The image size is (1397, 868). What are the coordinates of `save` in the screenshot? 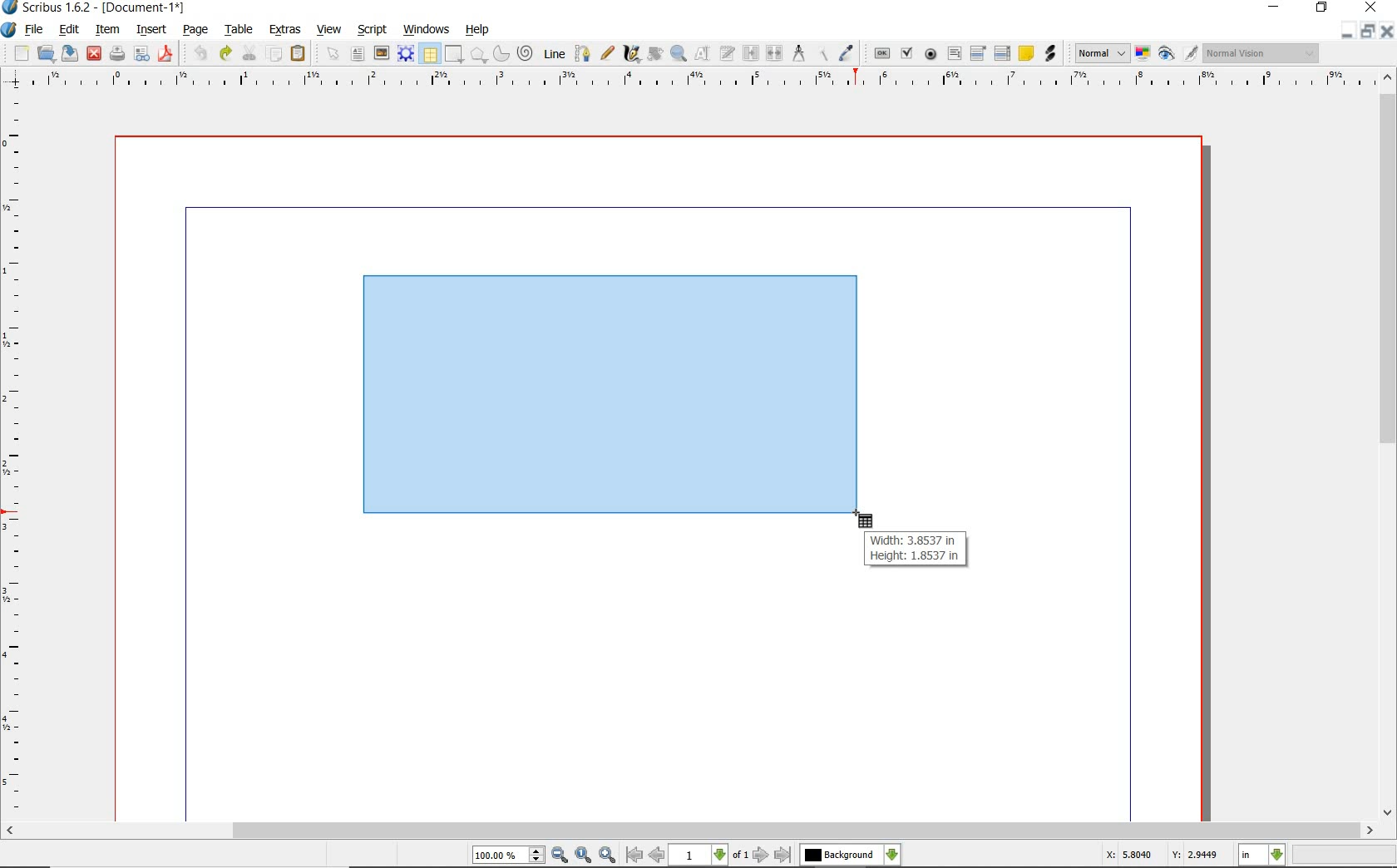 It's located at (71, 52).